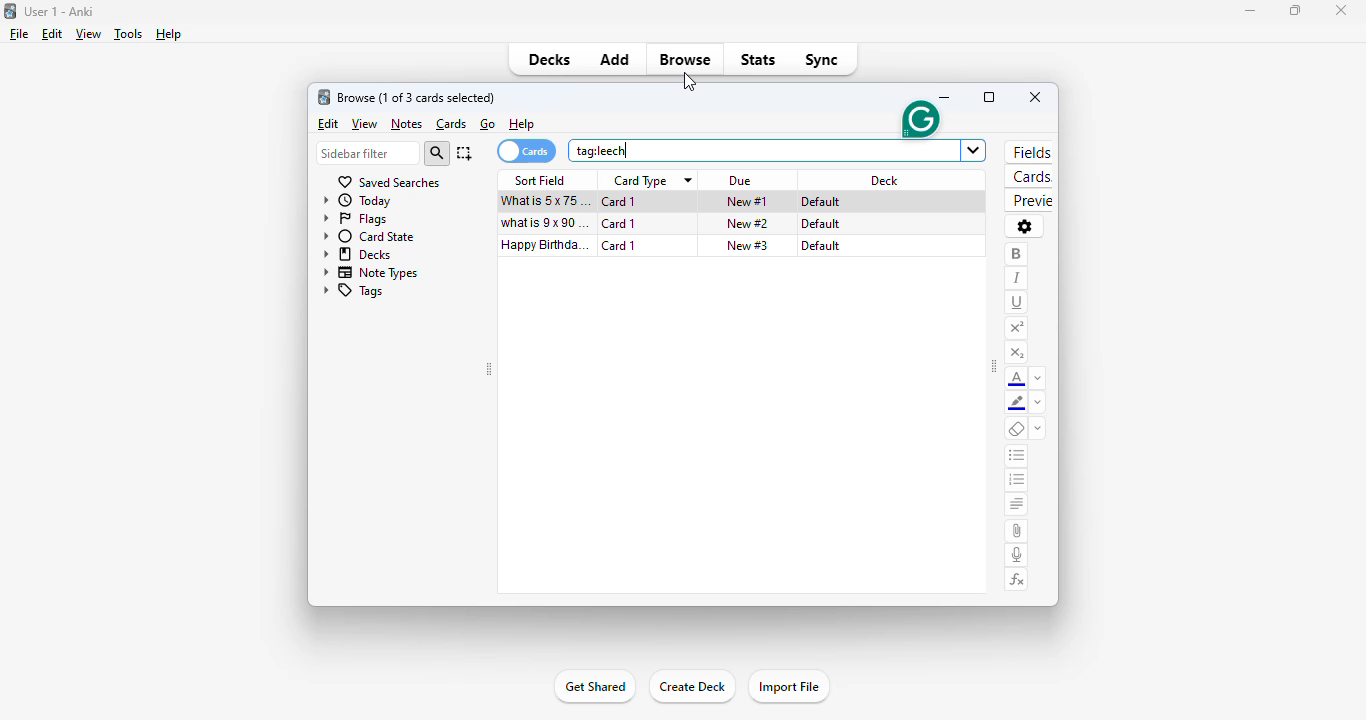 The height and width of the screenshot is (720, 1366). Describe the element at coordinates (615, 58) in the screenshot. I see `add` at that location.